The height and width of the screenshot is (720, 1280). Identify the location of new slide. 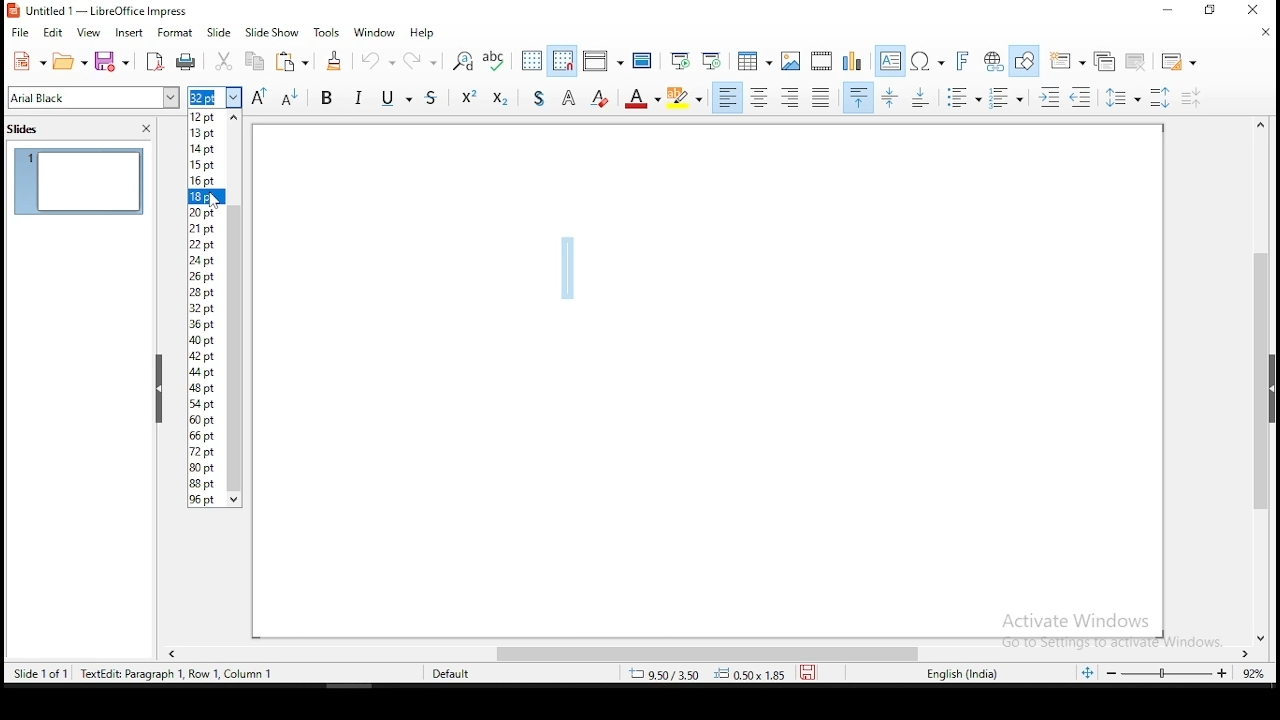
(1066, 61).